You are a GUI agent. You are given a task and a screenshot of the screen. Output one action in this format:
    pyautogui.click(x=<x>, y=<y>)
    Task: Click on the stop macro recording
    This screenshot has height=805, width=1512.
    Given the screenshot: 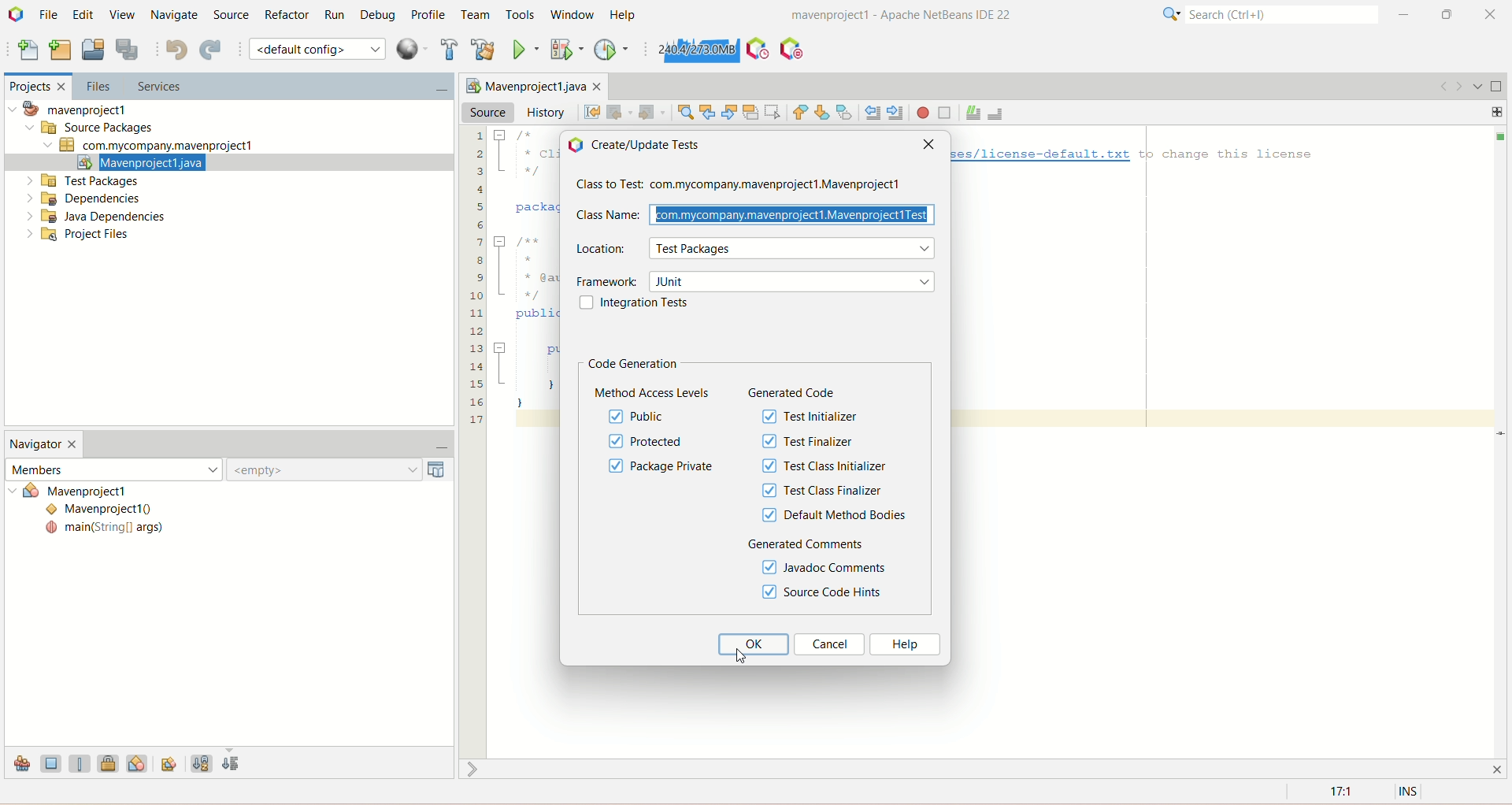 What is the action you would take?
    pyautogui.click(x=945, y=113)
    